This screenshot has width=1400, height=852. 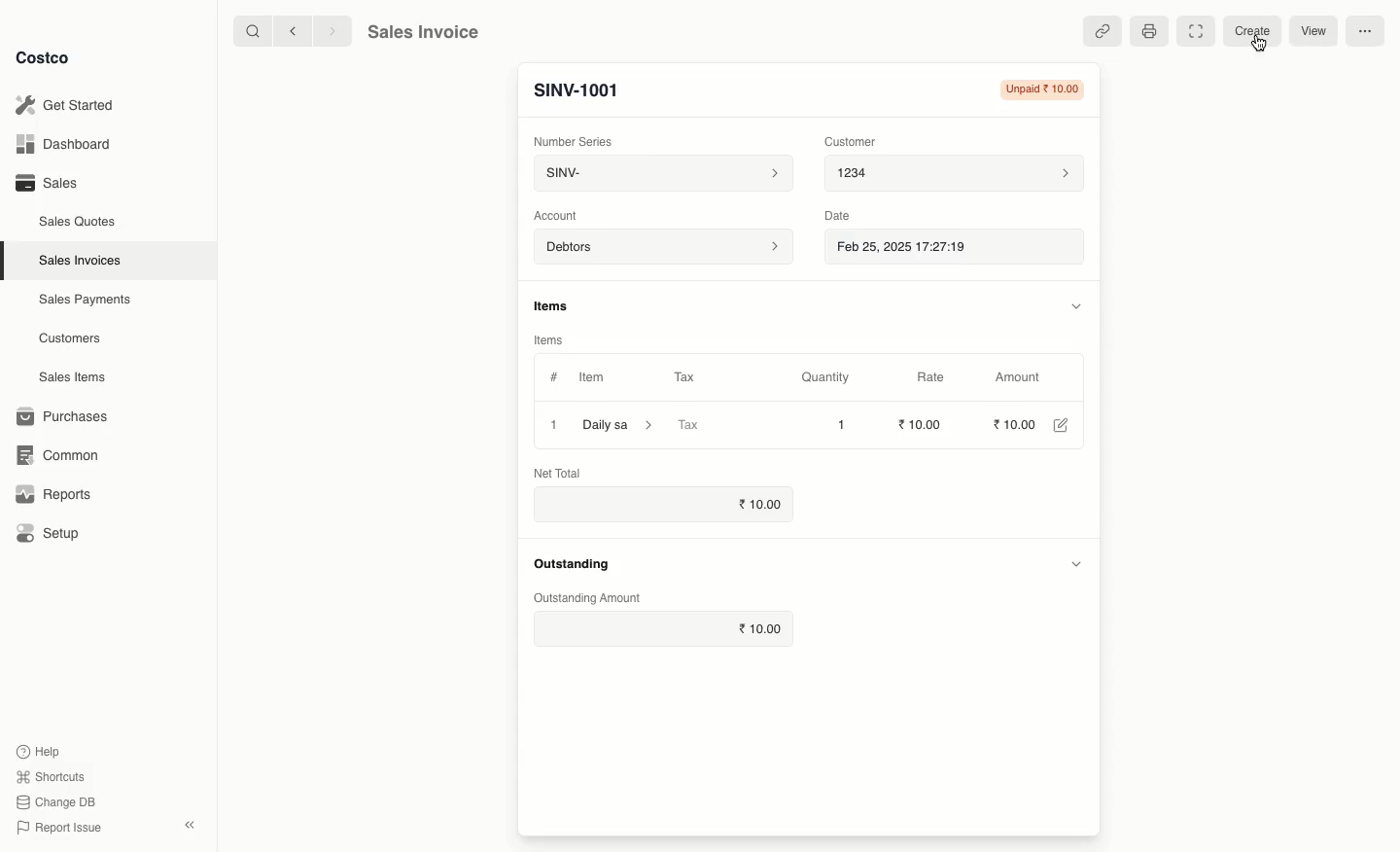 What do you see at coordinates (48, 184) in the screenshot?
I see `Sales` at bounding box center [48, 184].